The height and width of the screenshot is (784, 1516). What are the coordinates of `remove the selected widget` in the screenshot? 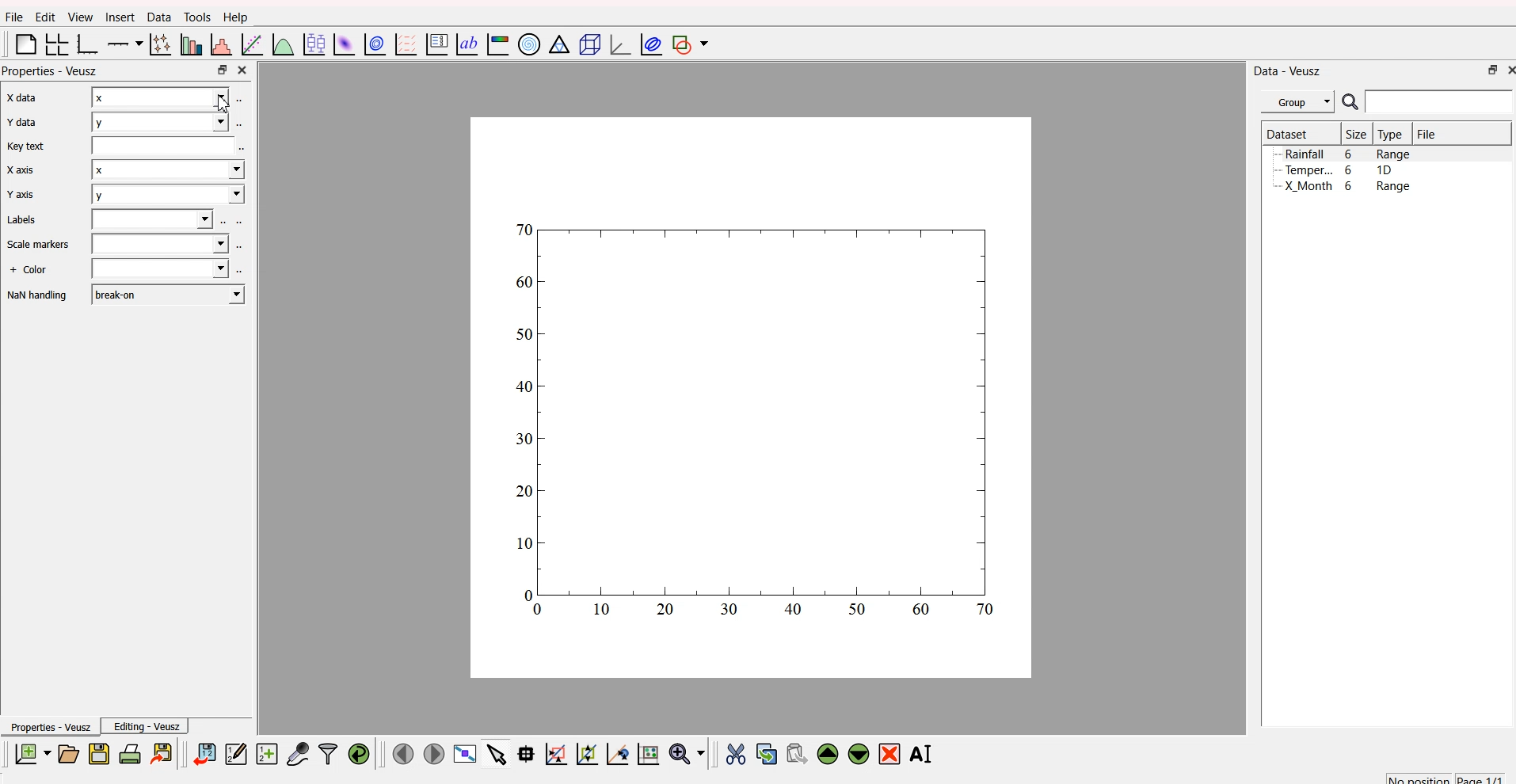 It's located at (890, 754).